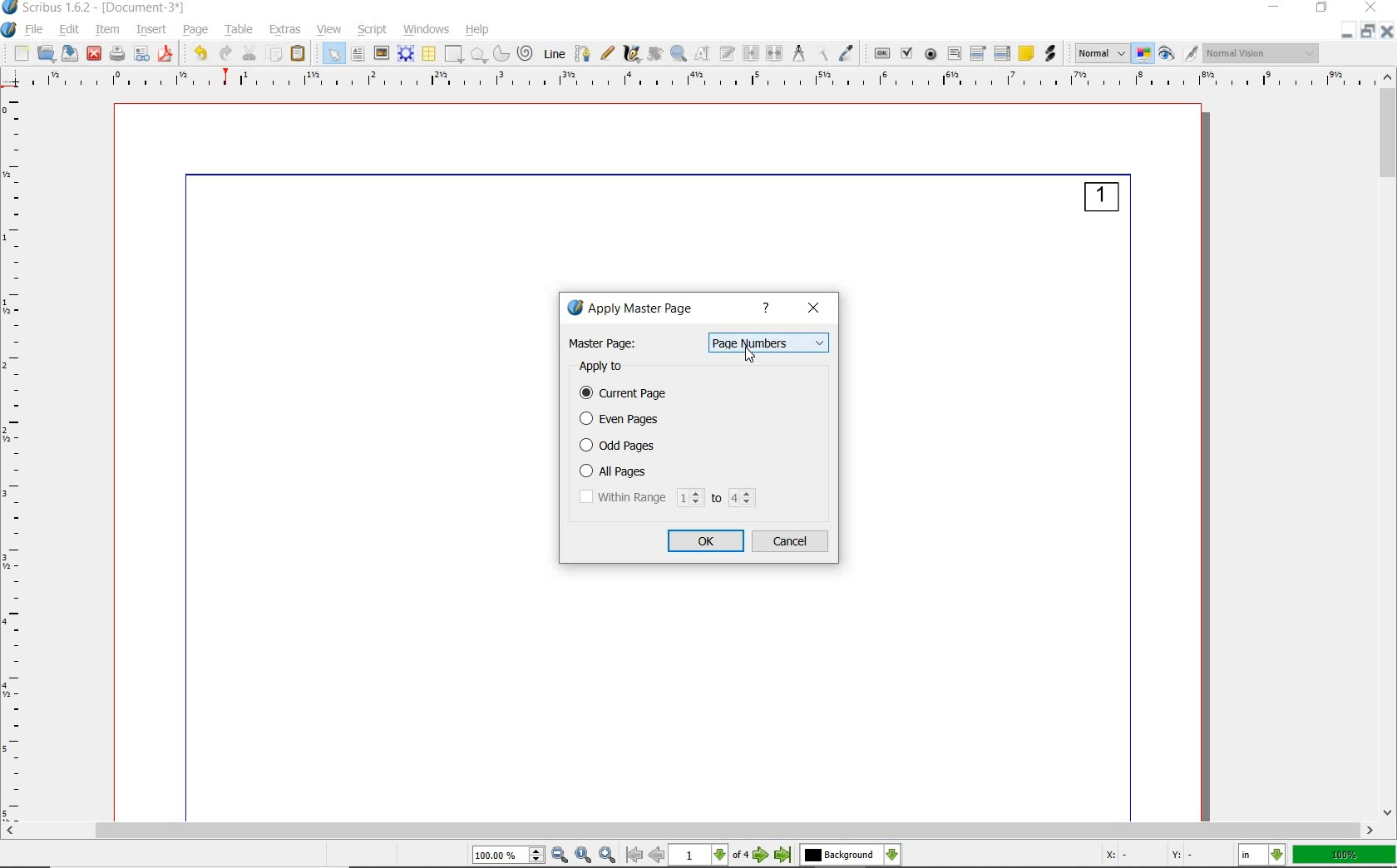 Image resolution: width=1397 pixels, height=868 pixels. I want to click on 100%, so click(1345, 856).